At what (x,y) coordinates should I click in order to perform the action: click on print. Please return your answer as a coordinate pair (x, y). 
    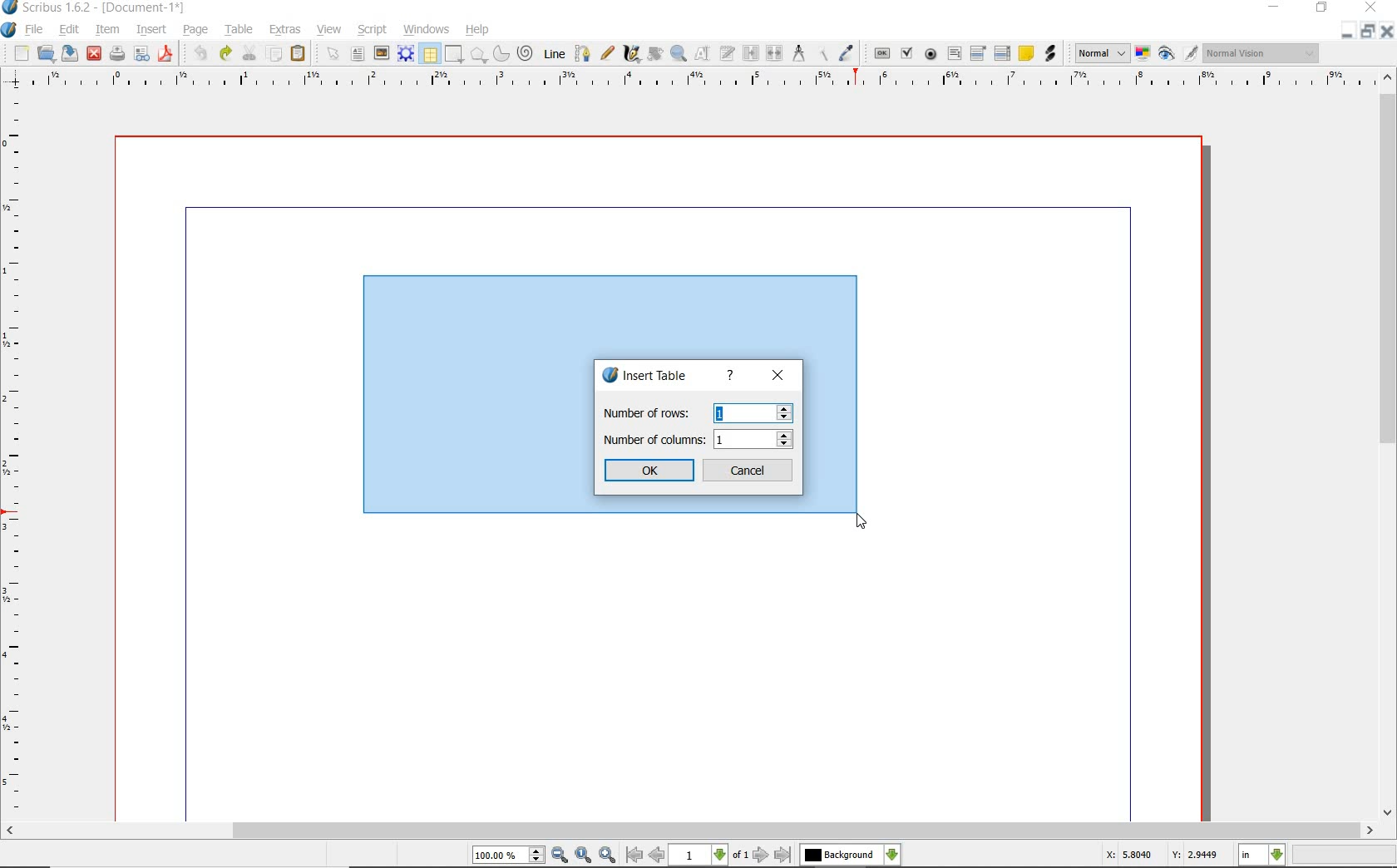
    Looking at the image, I should click on (116, 53).